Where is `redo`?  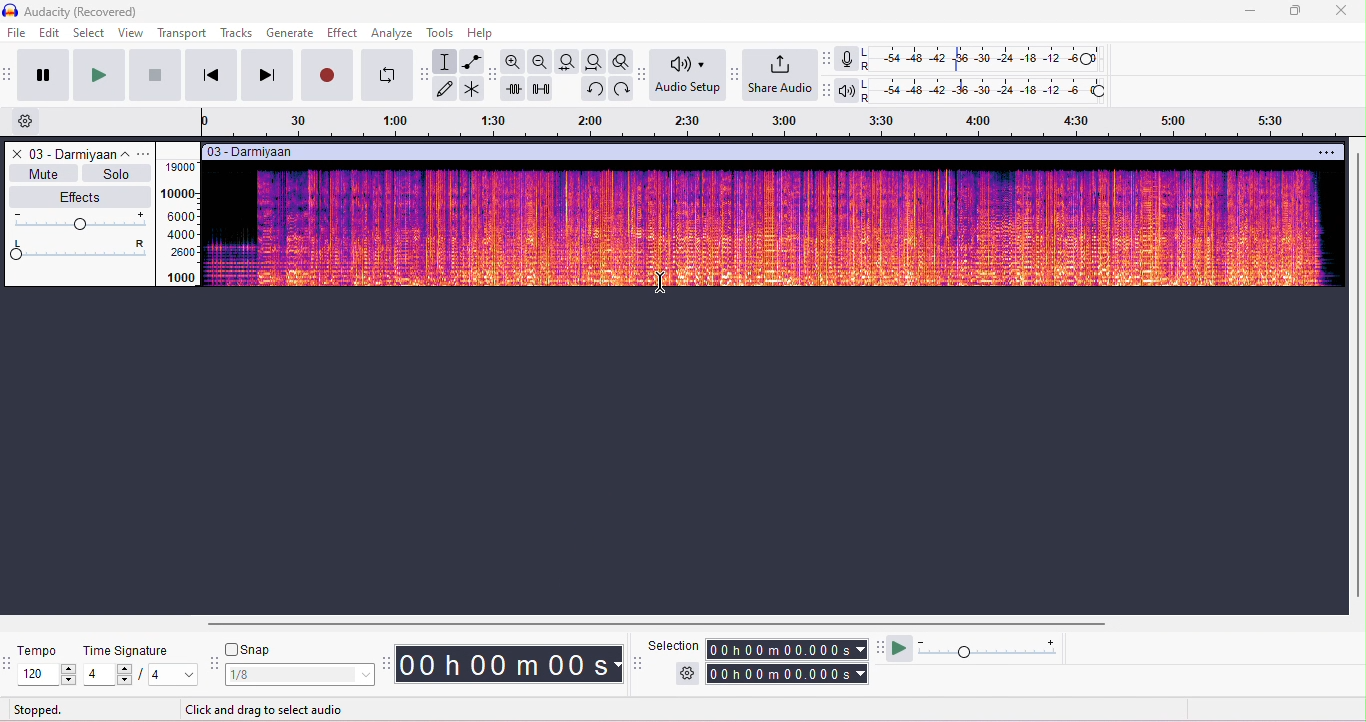
redo is located at coordinates (619, 88).